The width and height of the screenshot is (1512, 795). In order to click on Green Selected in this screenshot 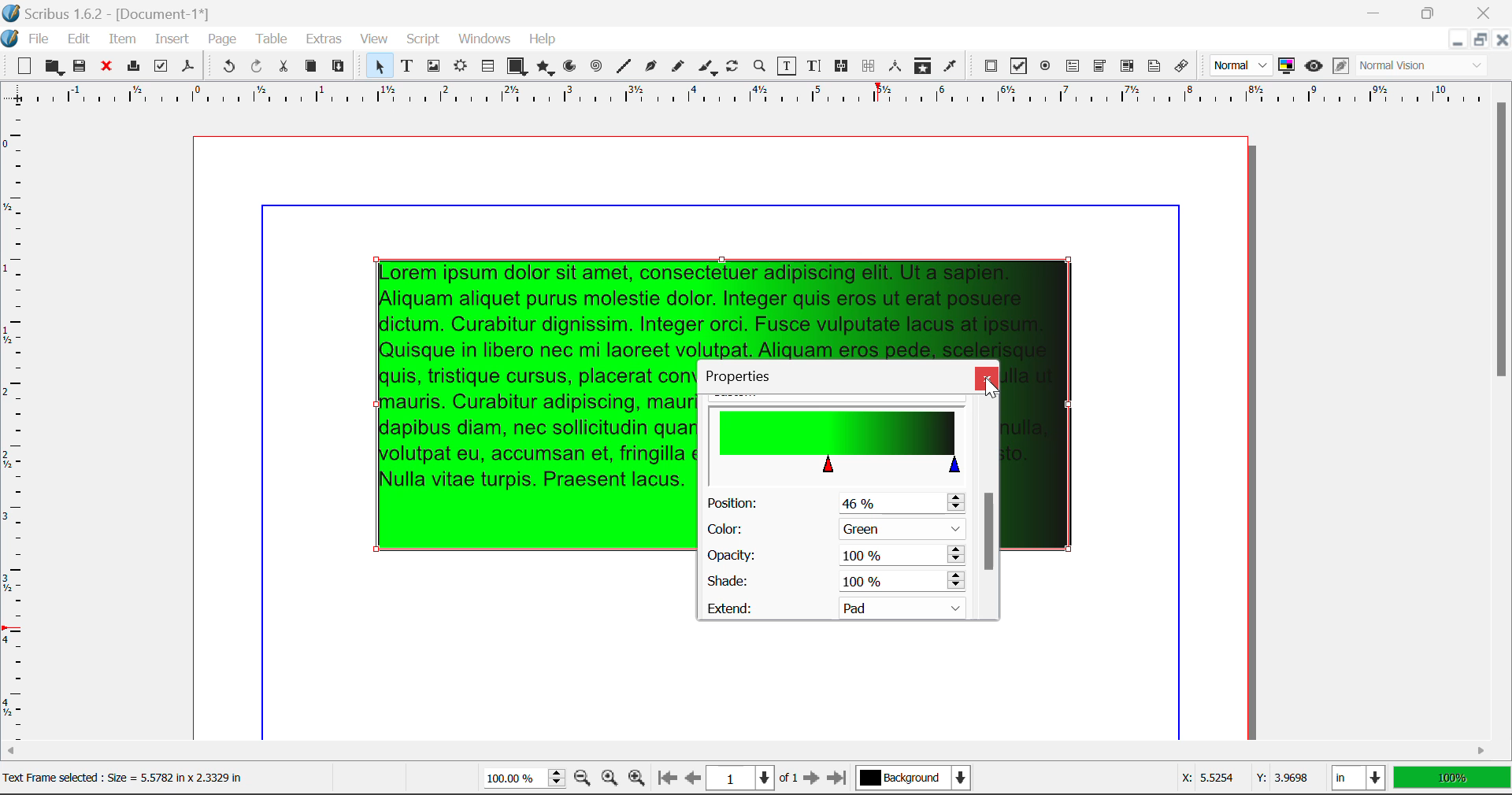, I will do `click(837, 528)`.